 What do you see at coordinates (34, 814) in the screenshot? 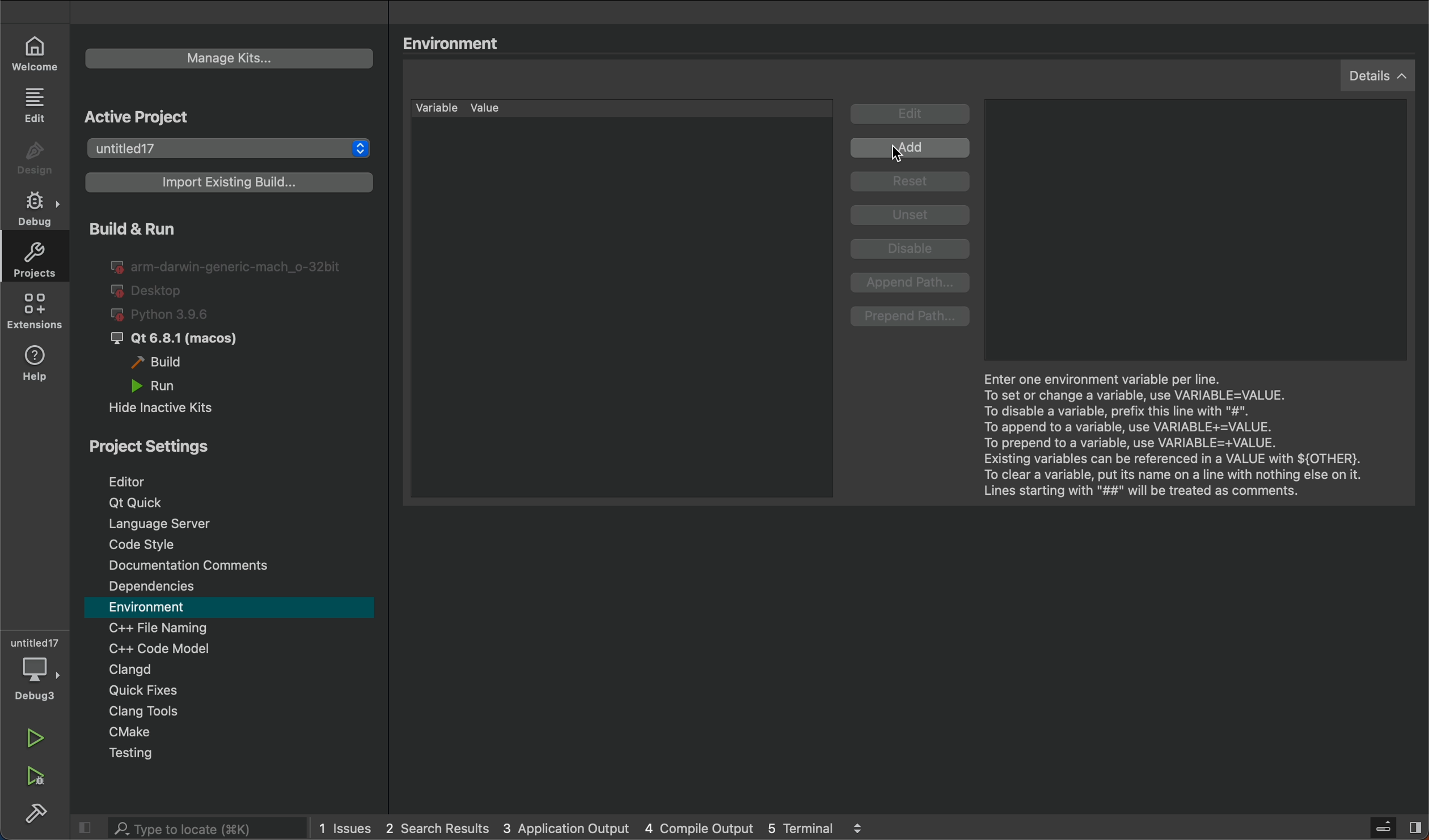
I see `build` at bounding box center [34, 814].